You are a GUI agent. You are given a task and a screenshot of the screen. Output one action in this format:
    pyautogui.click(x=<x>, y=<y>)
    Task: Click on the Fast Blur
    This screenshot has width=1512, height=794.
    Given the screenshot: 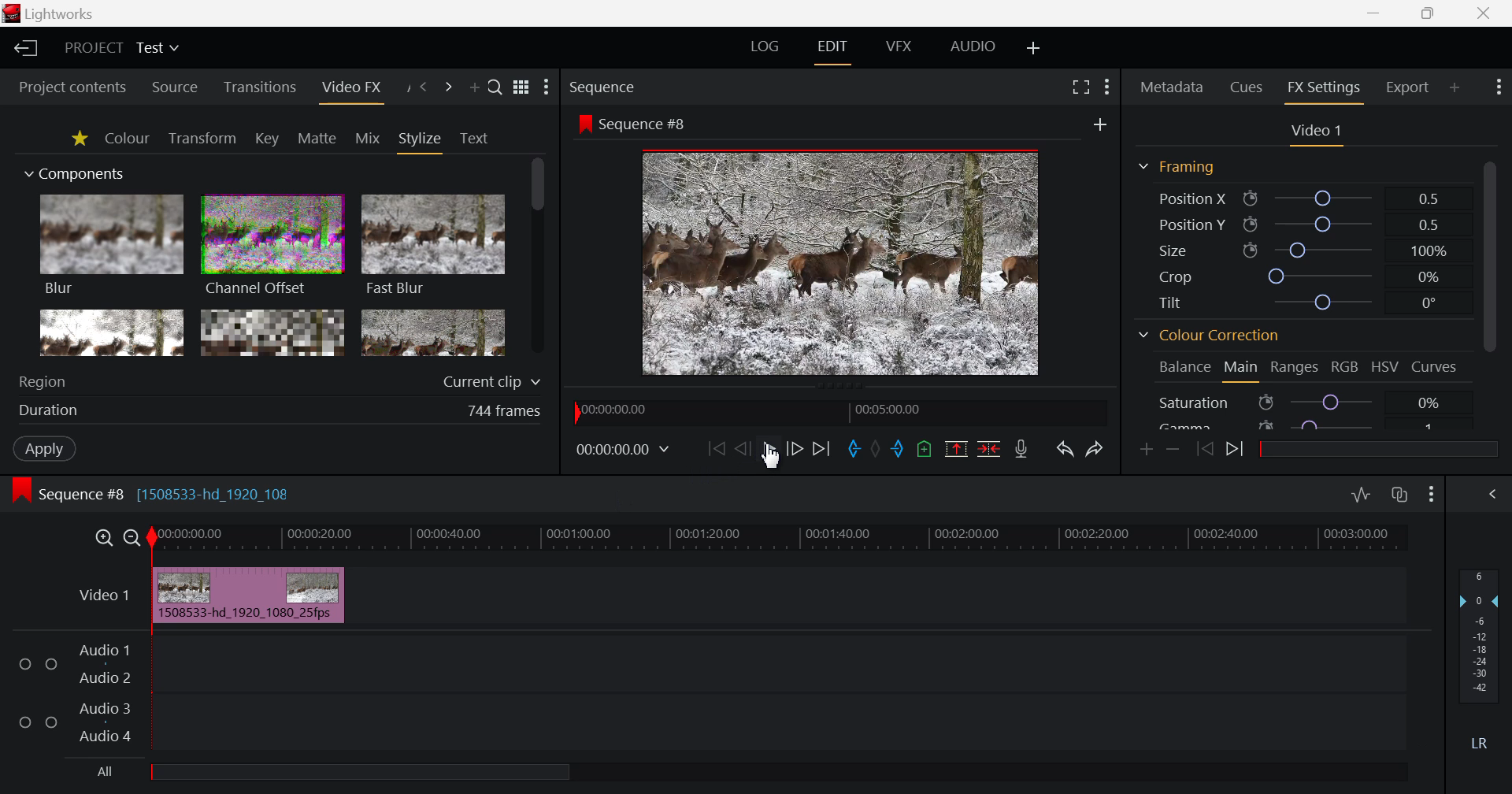 What is the action you would take?
    pyautogui.click(x=434, y=247)
    